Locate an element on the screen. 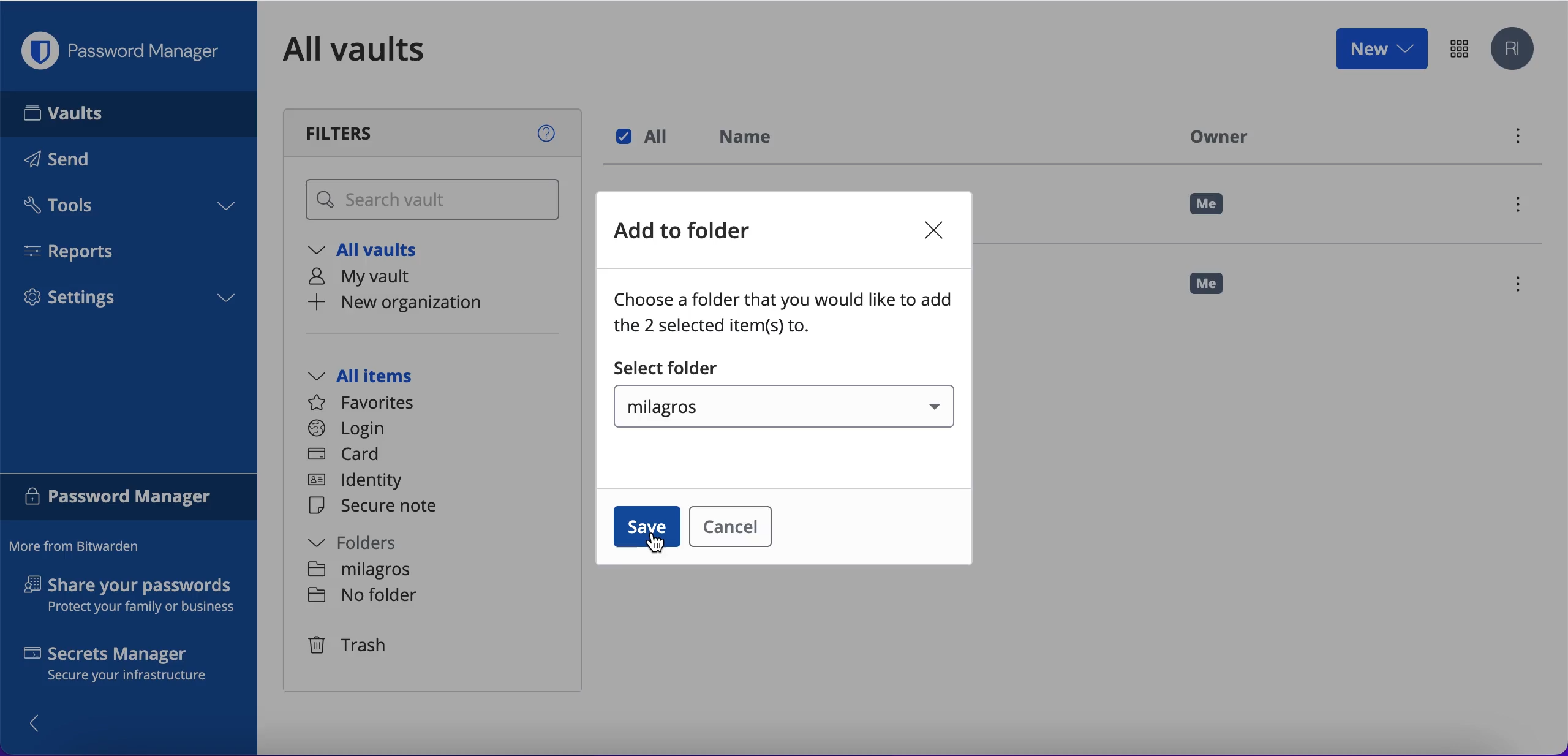  add to folder is located at coordinates (696, 233).